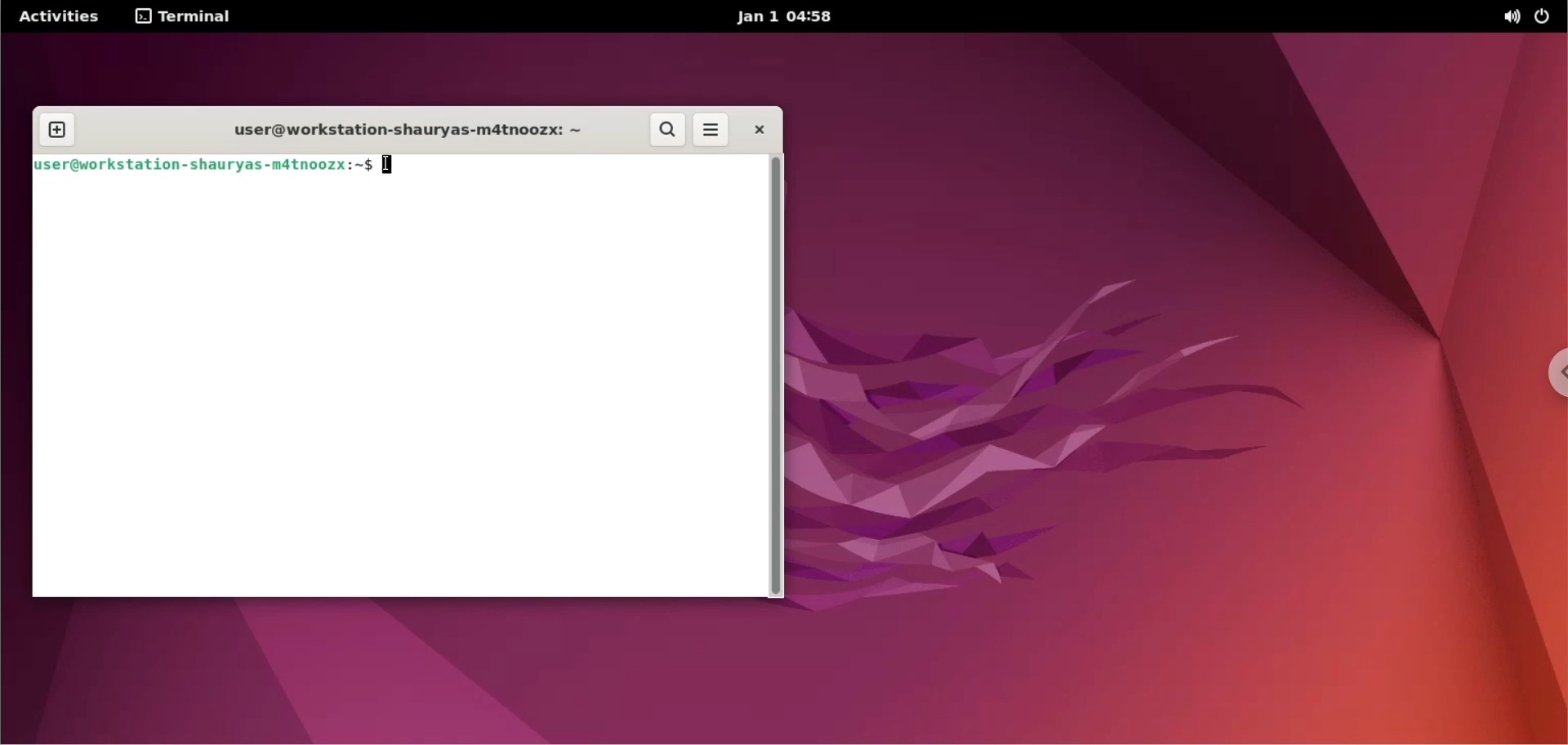 The height and width of the screenshot is (745, 1568). What do you see at coordinates (1506, 17) in the screenshot?
I see `sound options` at bounding box center [1506, 17].